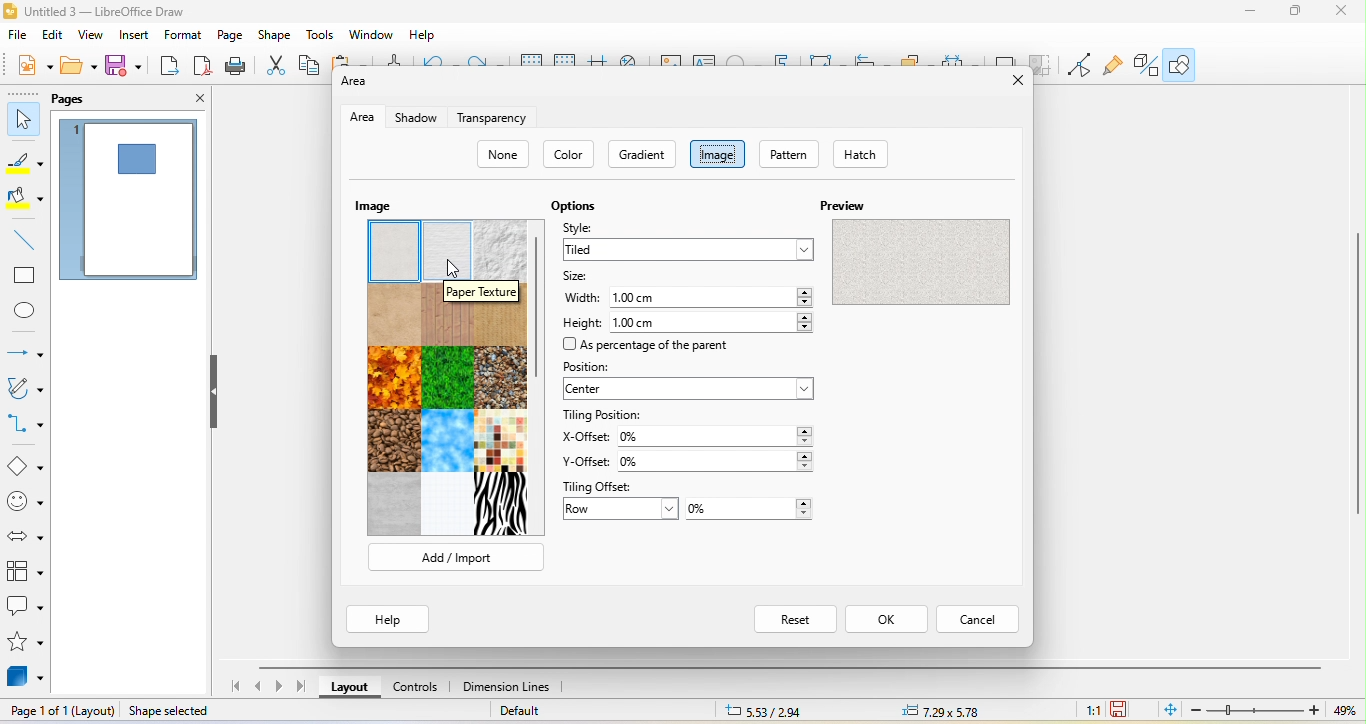 This screenshot has width=1366, height=724. What do you see at coordinates (26, 424) in the screenshot?
I see `connectors` at bounding box center [26, 424].